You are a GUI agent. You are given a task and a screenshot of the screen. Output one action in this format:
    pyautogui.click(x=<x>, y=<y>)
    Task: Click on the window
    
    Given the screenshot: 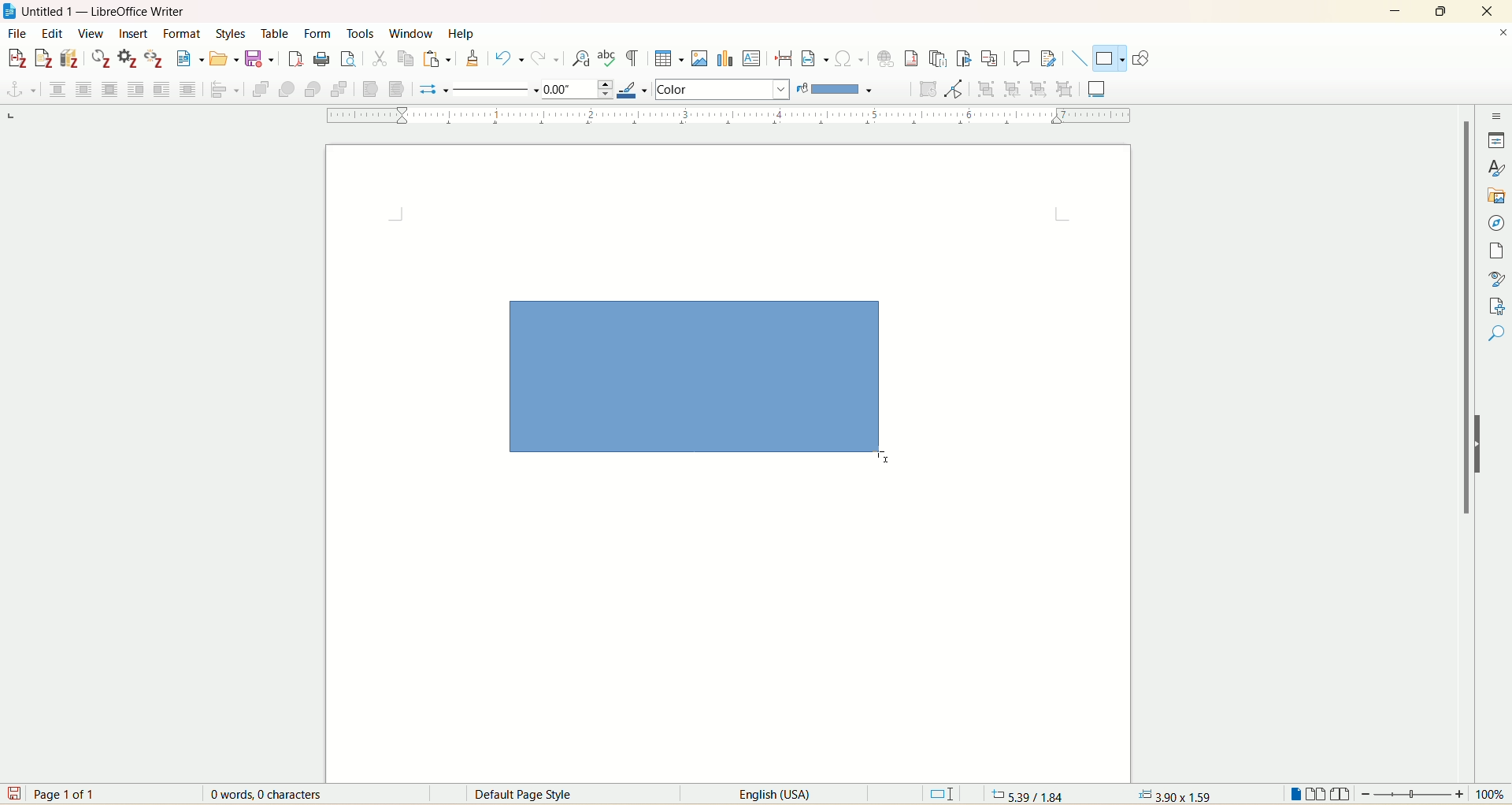 What is the action you would take?
    pyautogui.click(x=413, y=31)
    